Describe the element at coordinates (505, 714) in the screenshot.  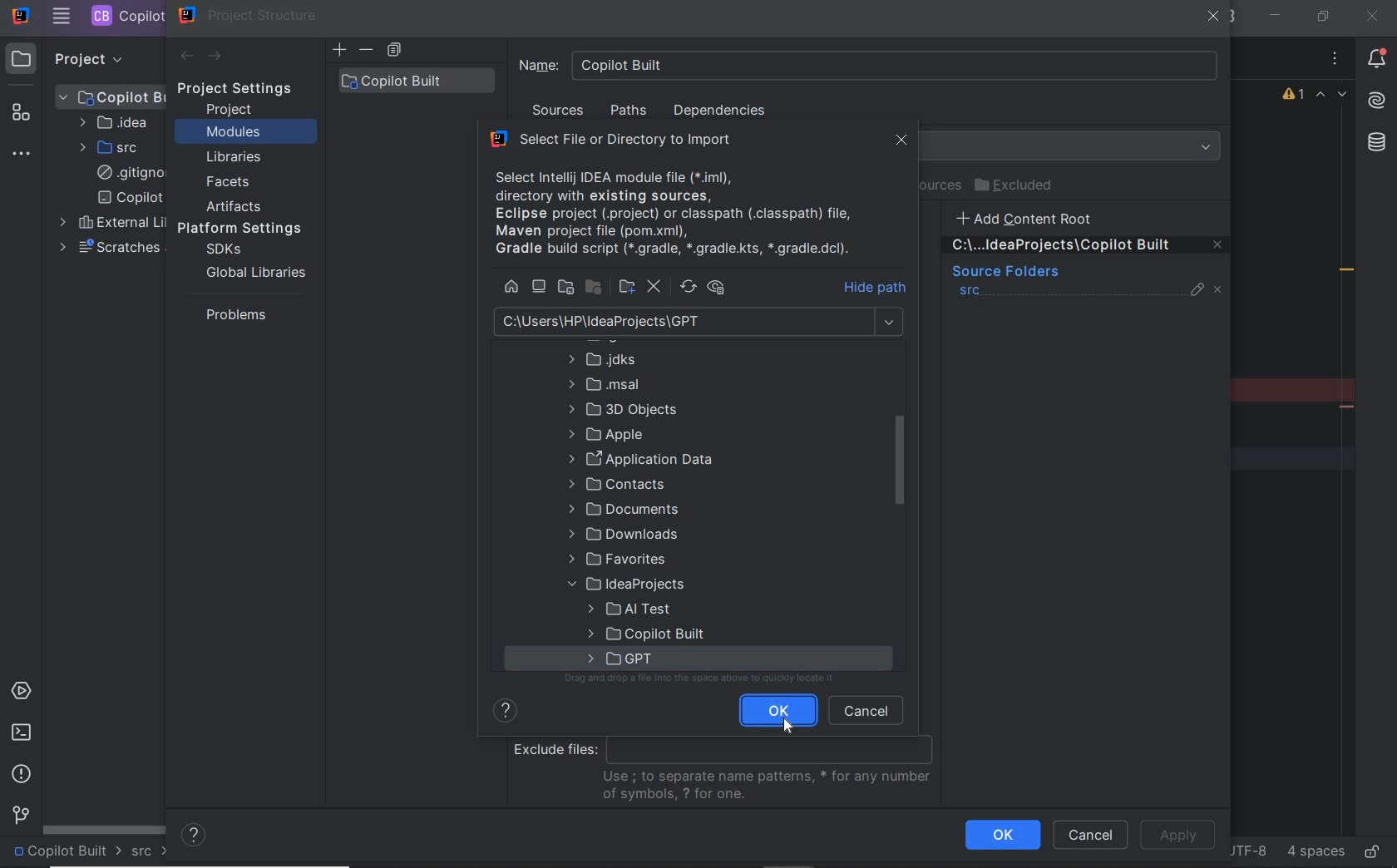
I see `show help contents` at that location.